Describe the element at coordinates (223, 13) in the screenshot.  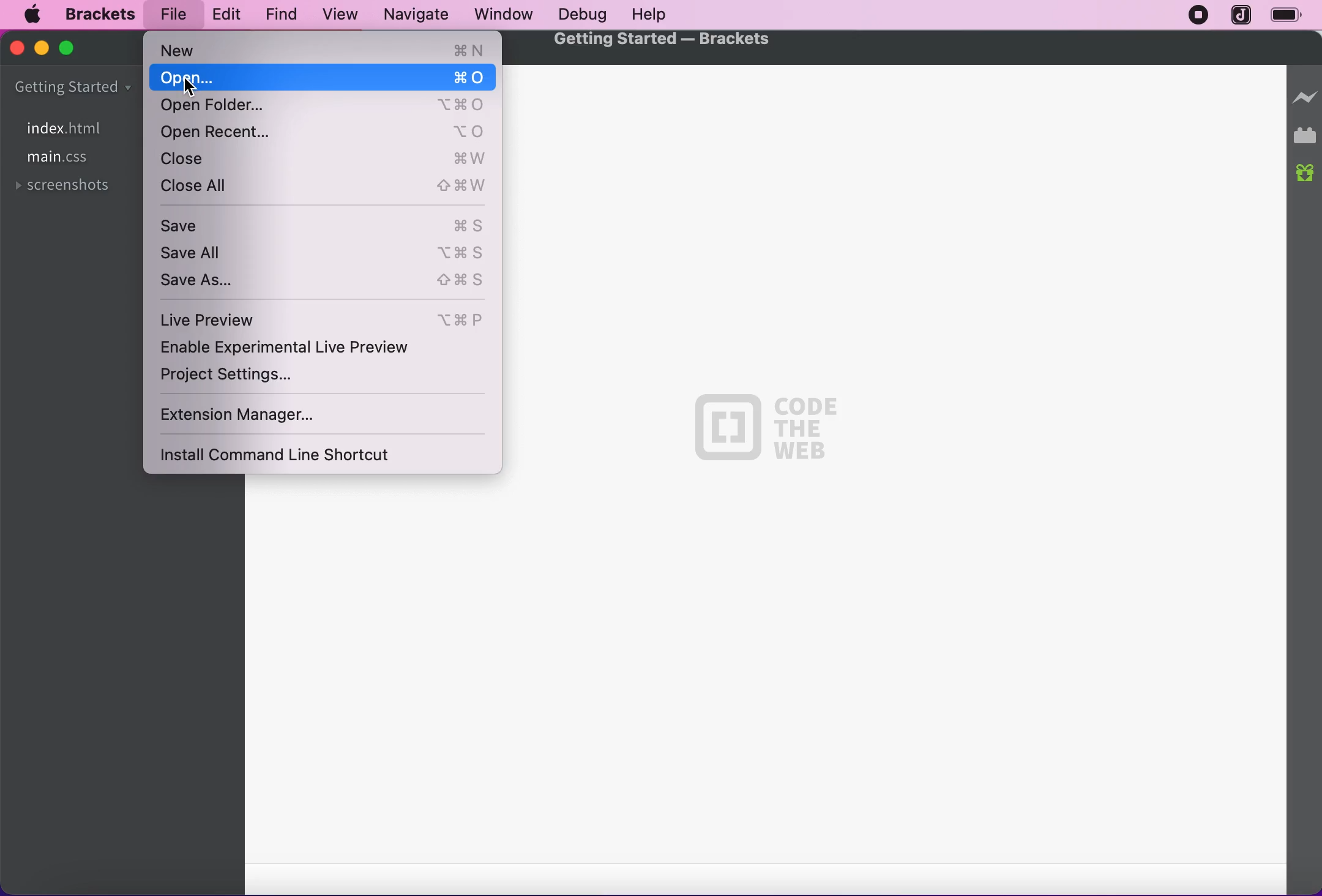
I see `edit` at that location.